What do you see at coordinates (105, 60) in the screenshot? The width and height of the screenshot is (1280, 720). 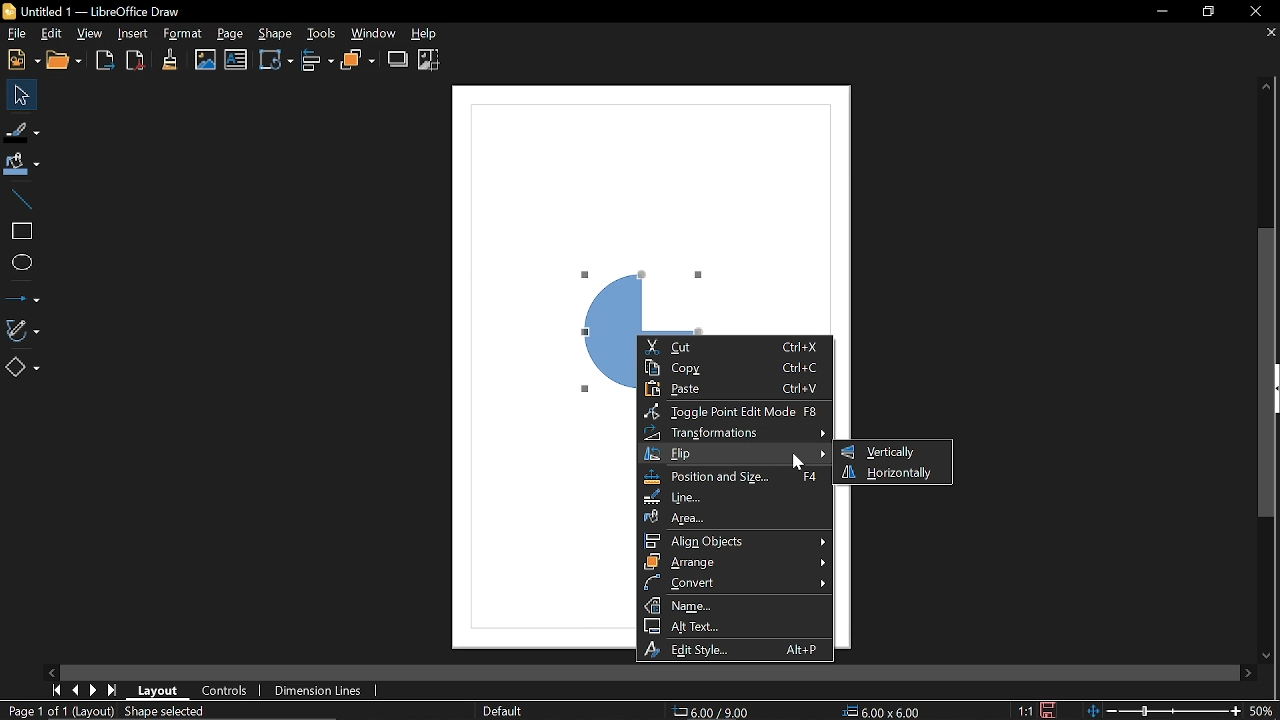 I see `Export` at bounding box center [105, 60].